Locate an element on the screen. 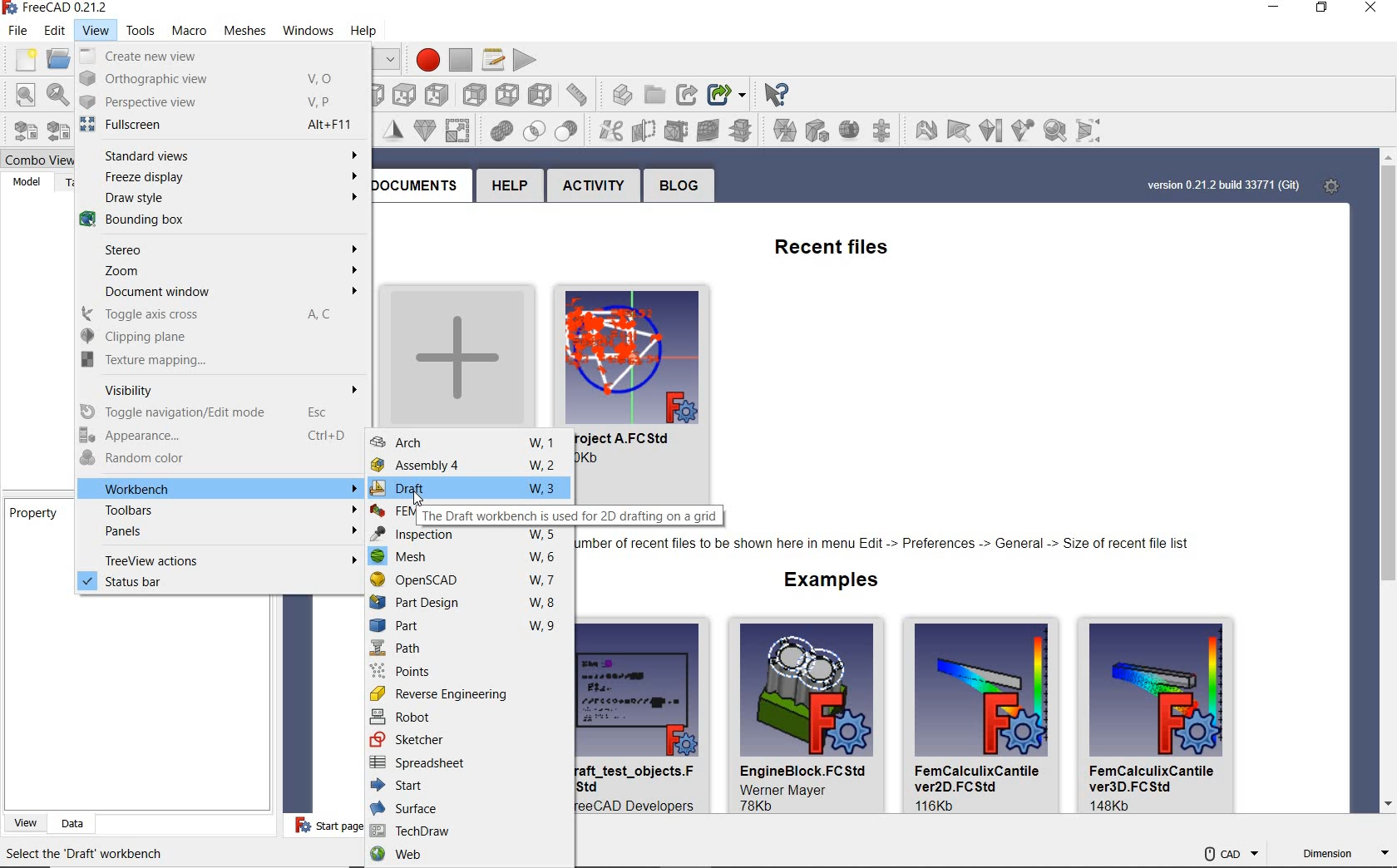 The height and width of the screenshot is (868, 1397). edit is located at coordinates (52, 30).